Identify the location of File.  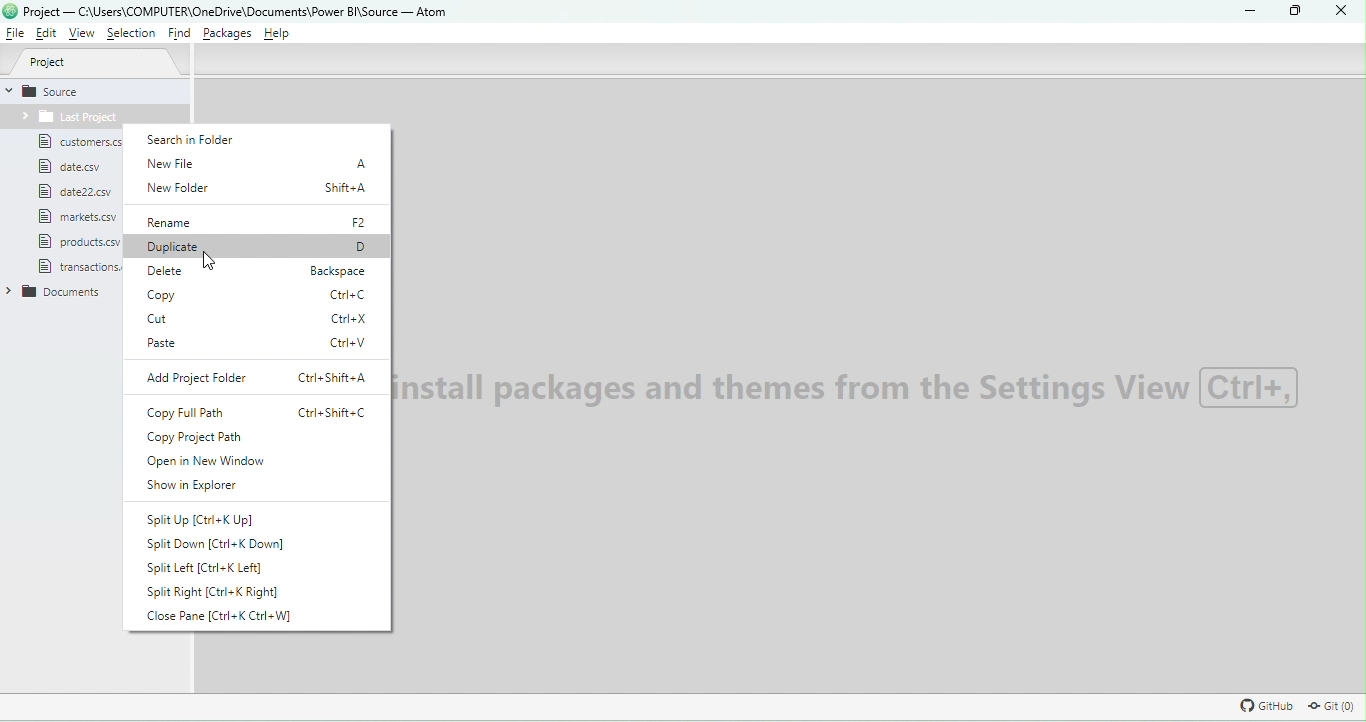
(78, 217).